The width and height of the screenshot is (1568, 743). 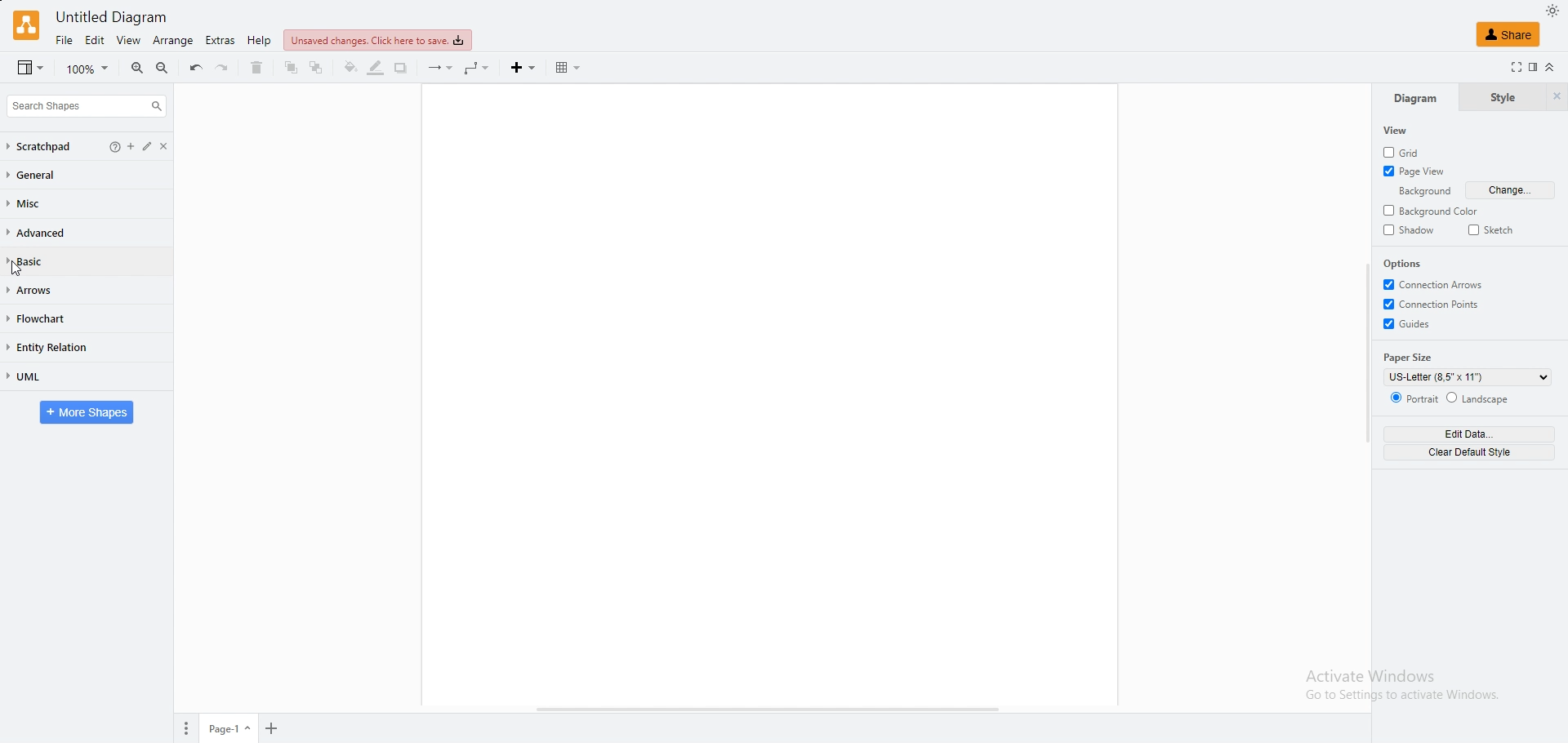 I want to click on fill color, so click(x=350, y=68).